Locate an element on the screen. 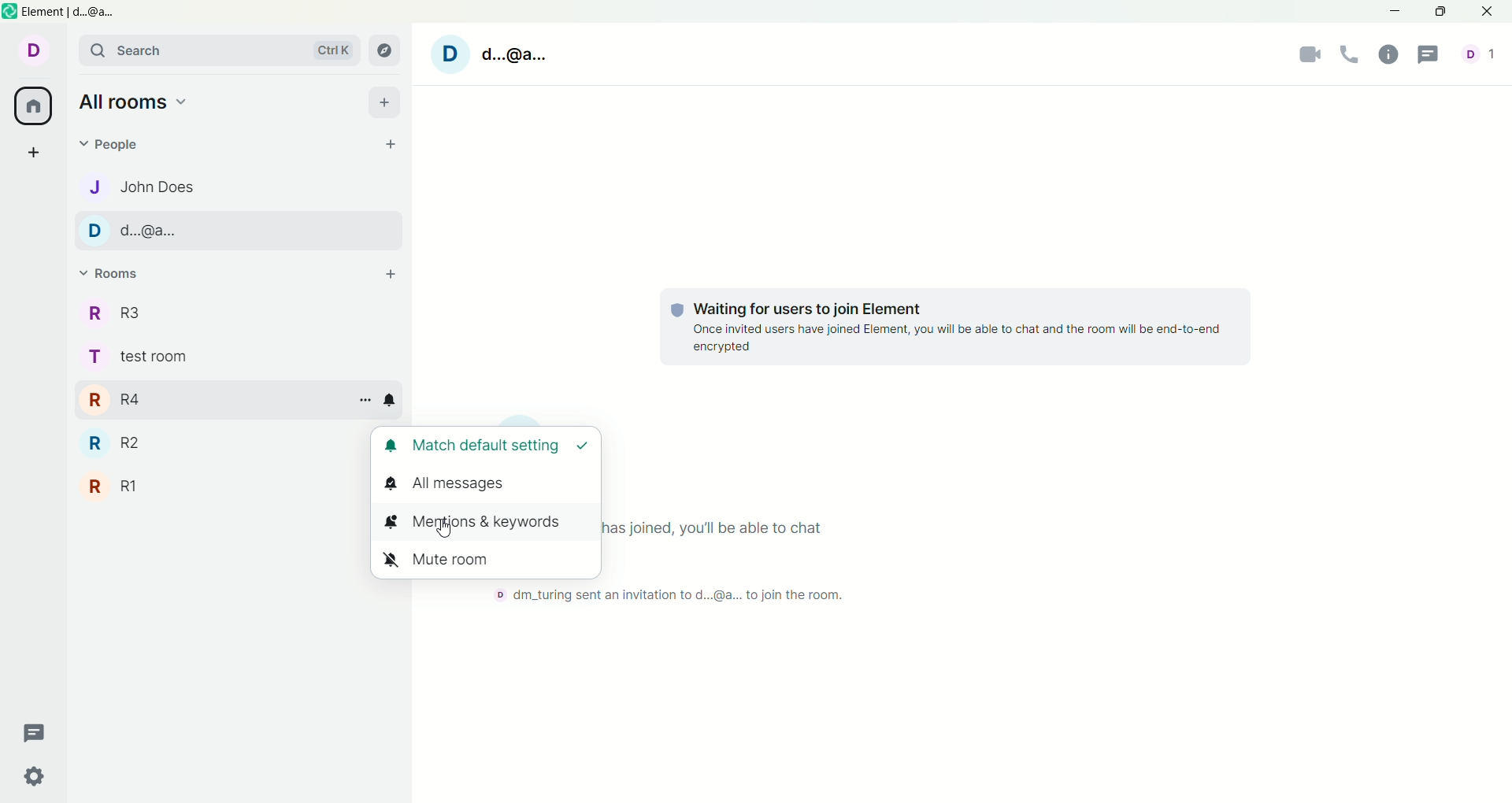 This screenshot has width=1512, height=803. d...@a..., chat 2 is located at coordinates (239, 231).